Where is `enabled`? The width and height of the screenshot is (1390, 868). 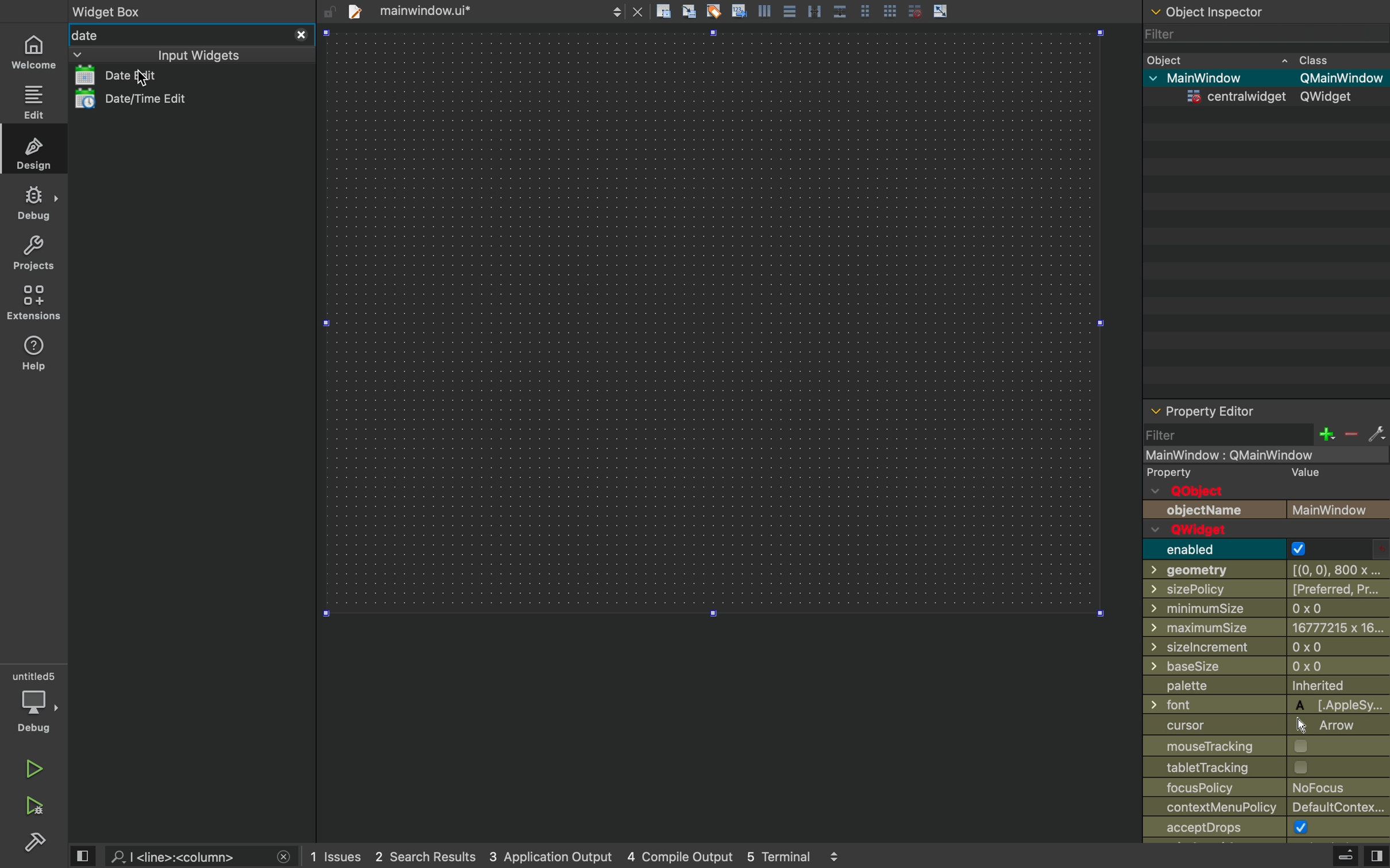 enabled is located at coordinates (1268, 549).